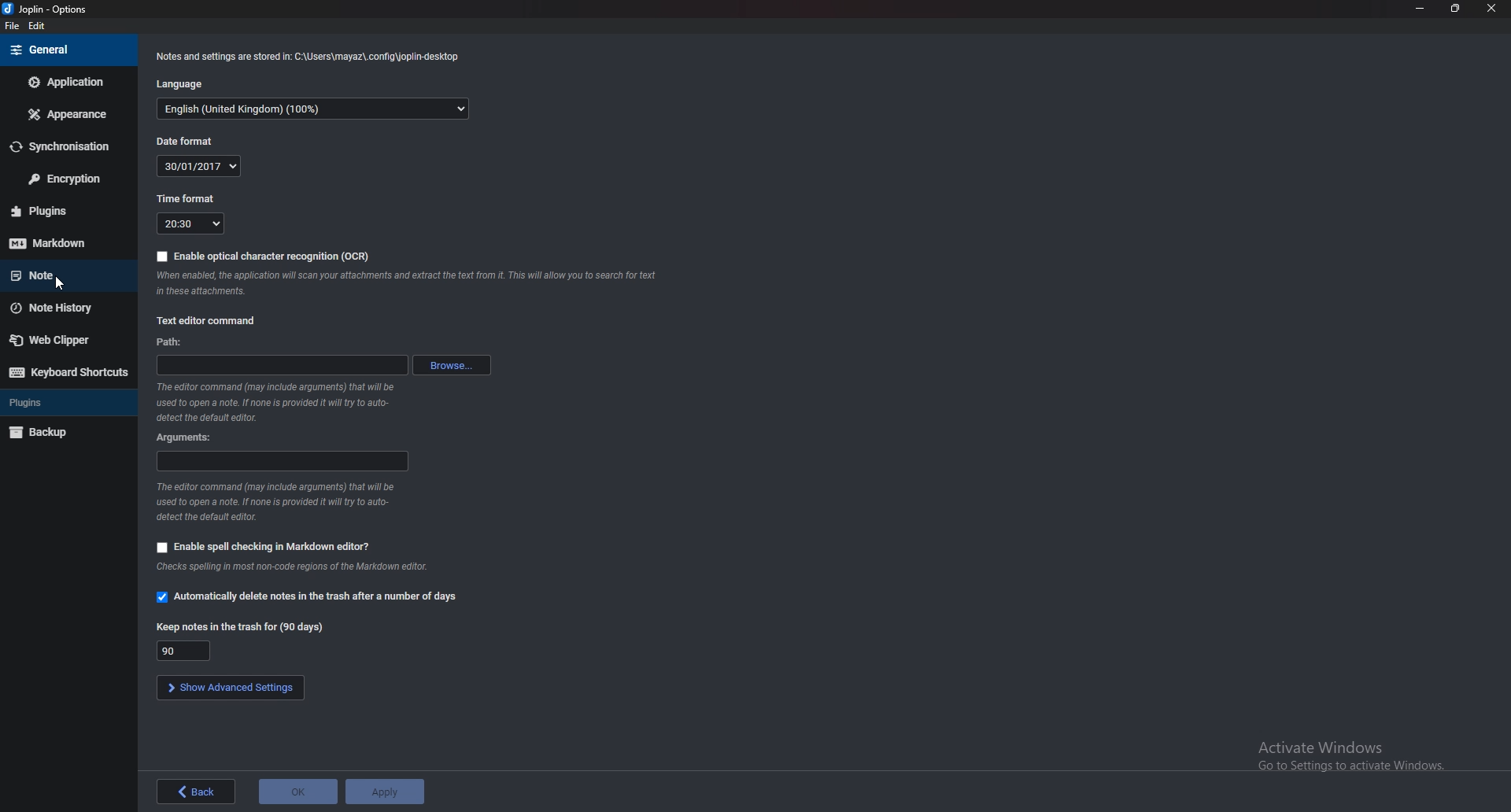 The image size is (1511, 812). I want to click on Automatically delete notes, so click(305, 596).